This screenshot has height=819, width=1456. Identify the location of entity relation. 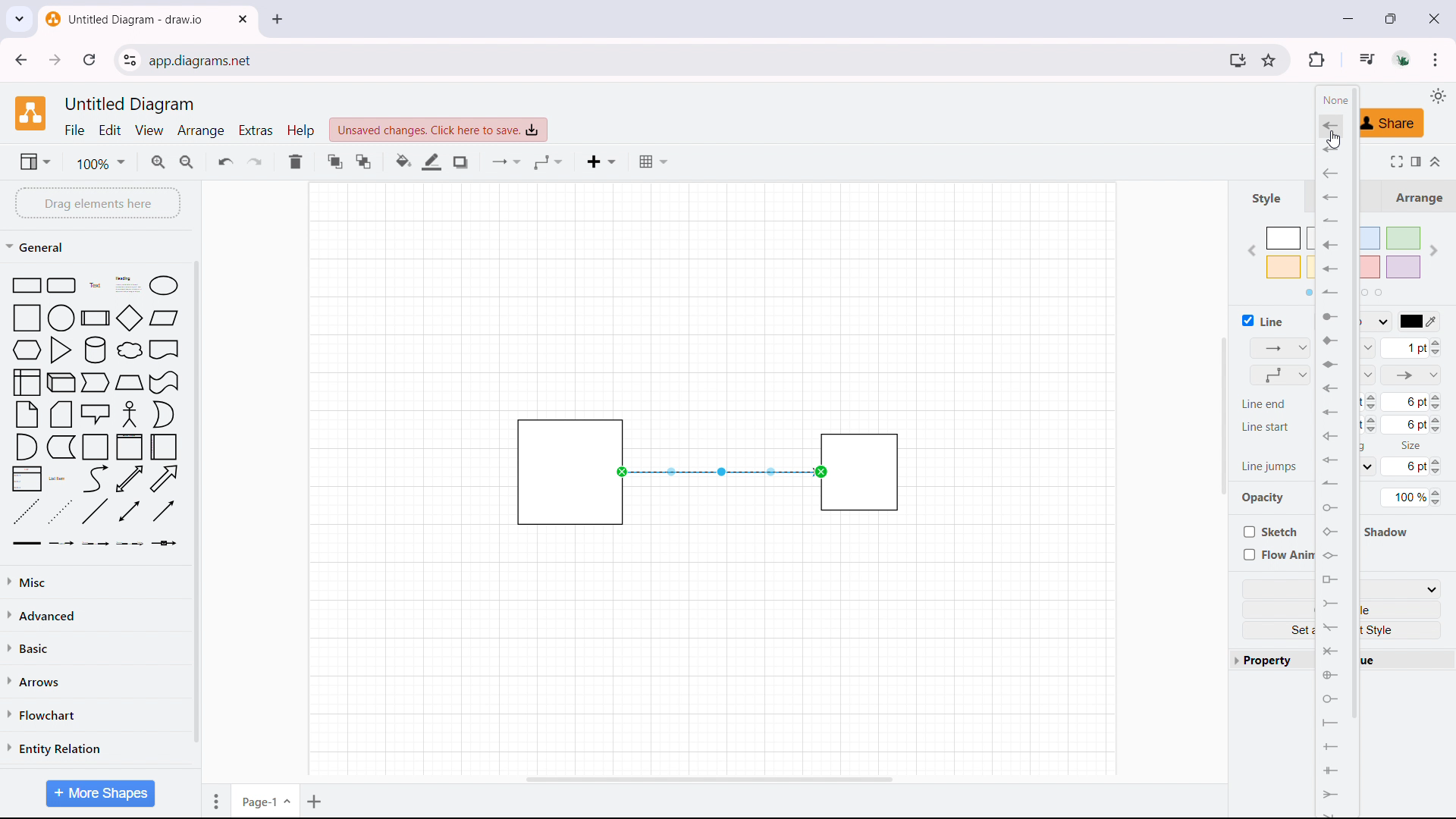
(95, 748).